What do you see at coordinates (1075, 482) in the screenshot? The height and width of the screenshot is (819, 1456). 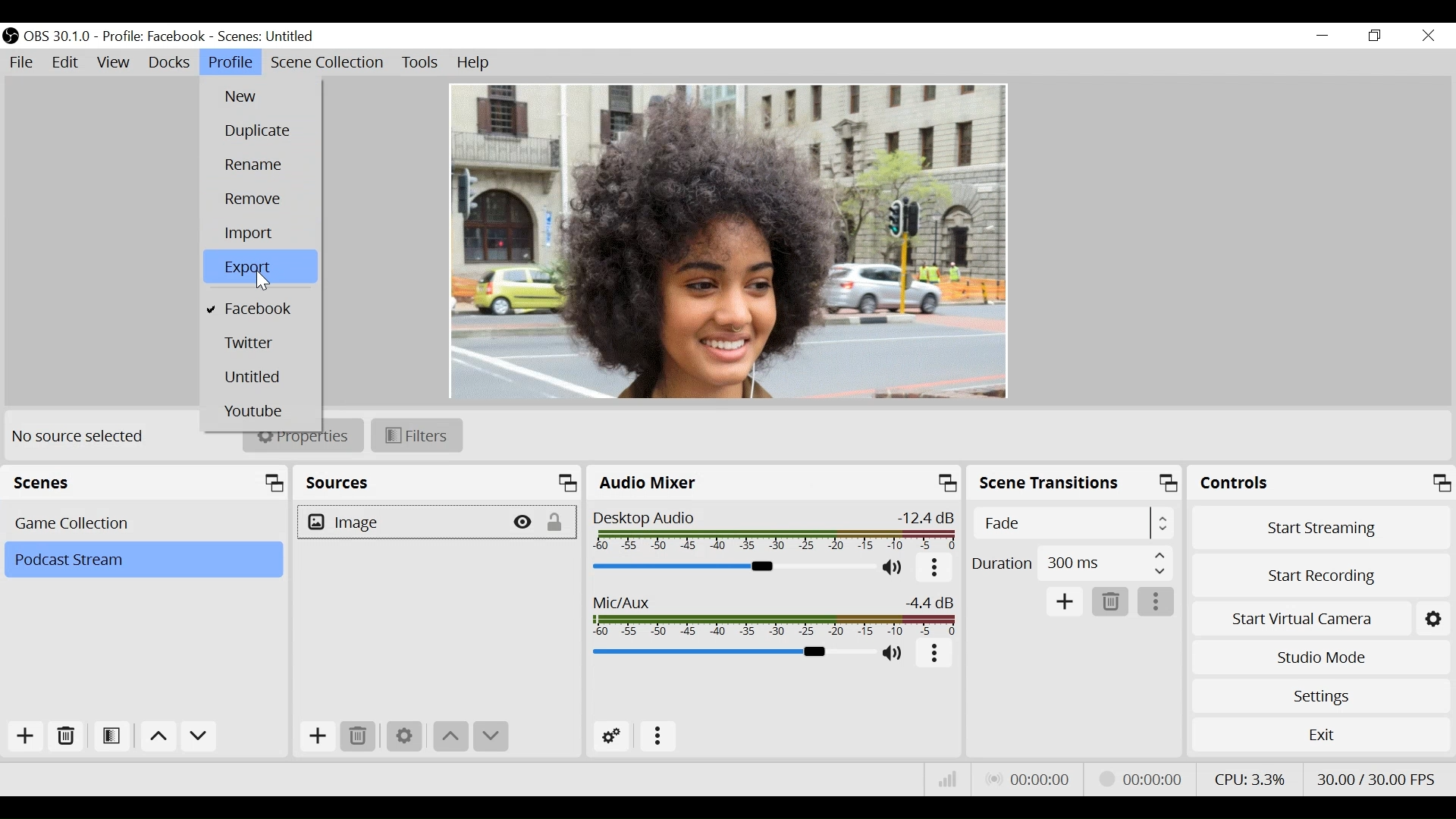 I see `Scene Transition` at bounding box center [1075, 482].